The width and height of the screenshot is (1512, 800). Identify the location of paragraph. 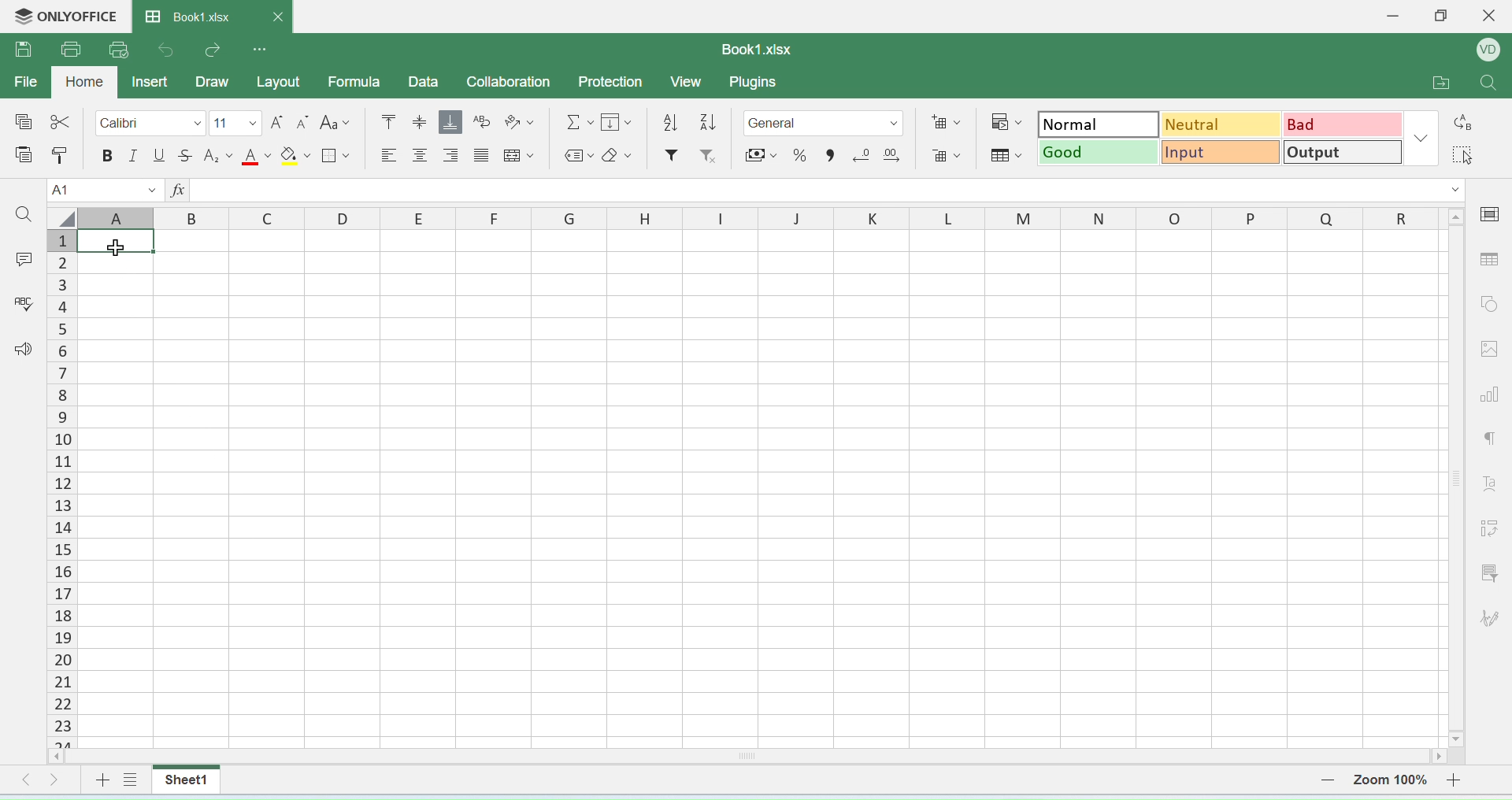
(1492, 437).